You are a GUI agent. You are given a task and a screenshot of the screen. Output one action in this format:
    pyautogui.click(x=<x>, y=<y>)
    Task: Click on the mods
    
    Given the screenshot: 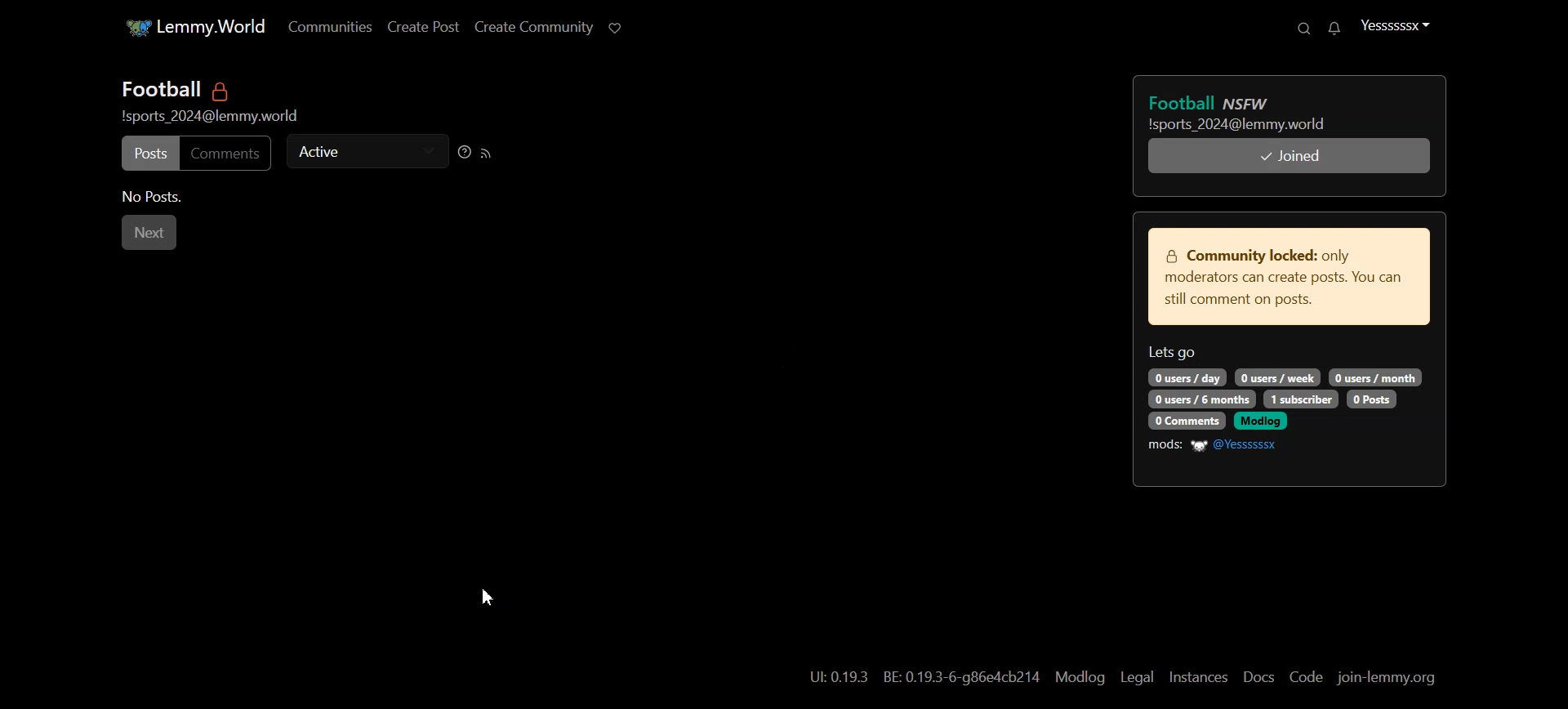 What is the action you would take?
    pyautogui.click(x=1165, y=445)
    